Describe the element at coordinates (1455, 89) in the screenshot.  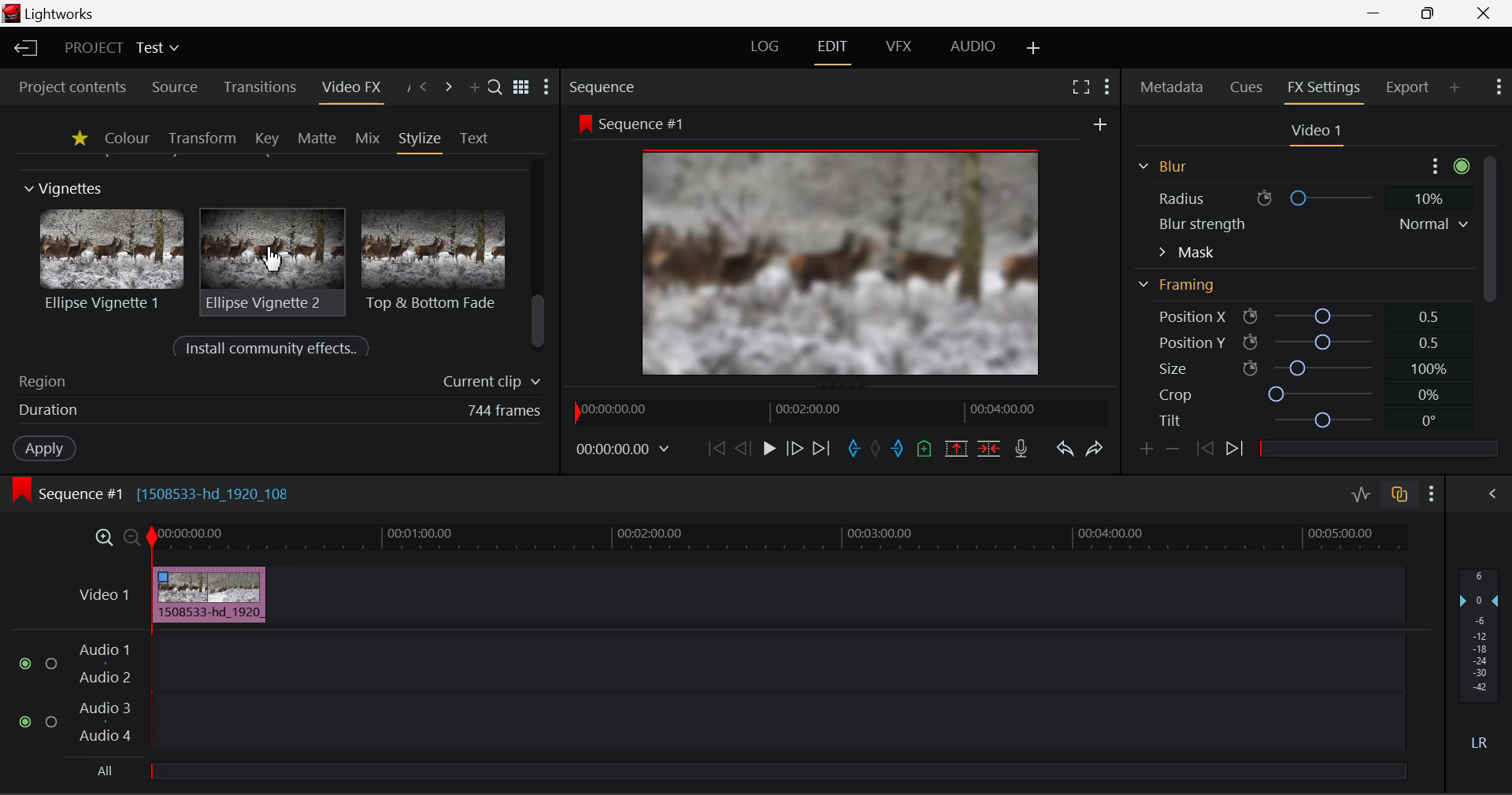
I see `Add Panel` at that location.